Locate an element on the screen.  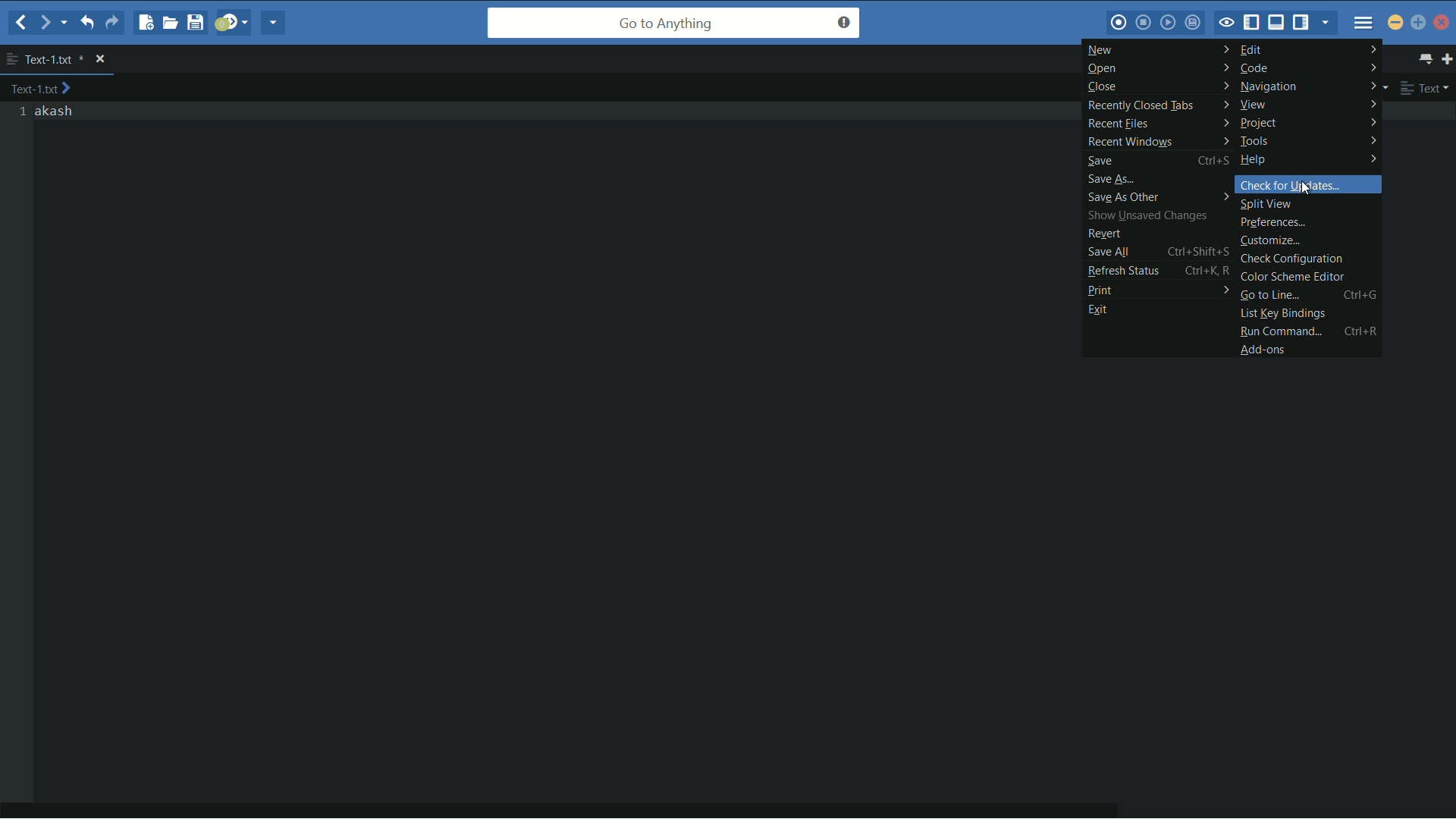
close app is located at coordinates (1445, 23).